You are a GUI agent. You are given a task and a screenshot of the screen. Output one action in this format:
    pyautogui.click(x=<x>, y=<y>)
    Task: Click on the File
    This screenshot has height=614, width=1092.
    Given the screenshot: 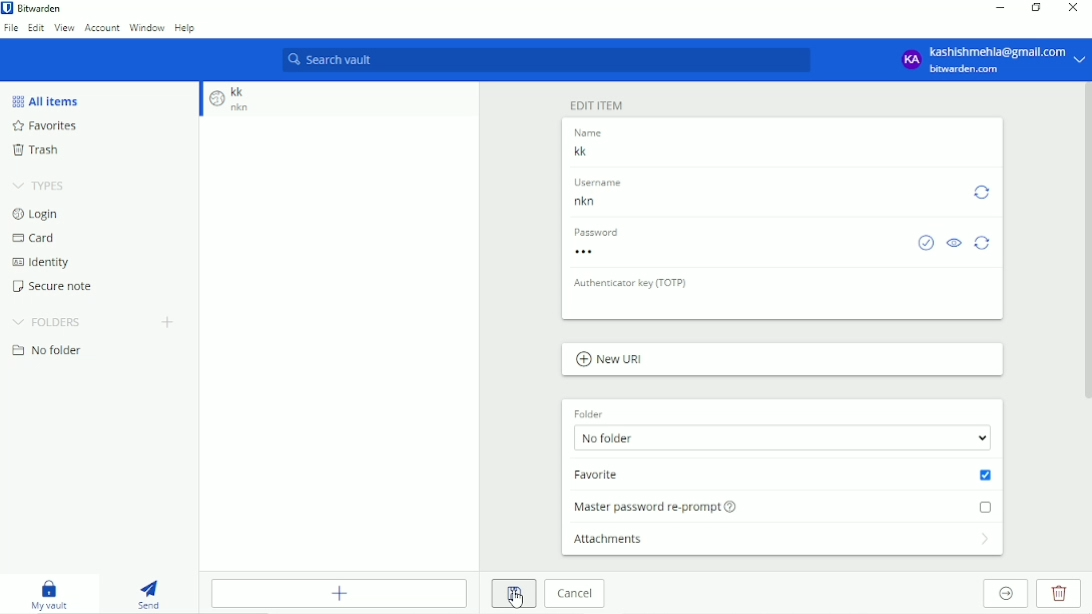 What is the action you would take?
    pyautogui.click(x=12, y=28)
    